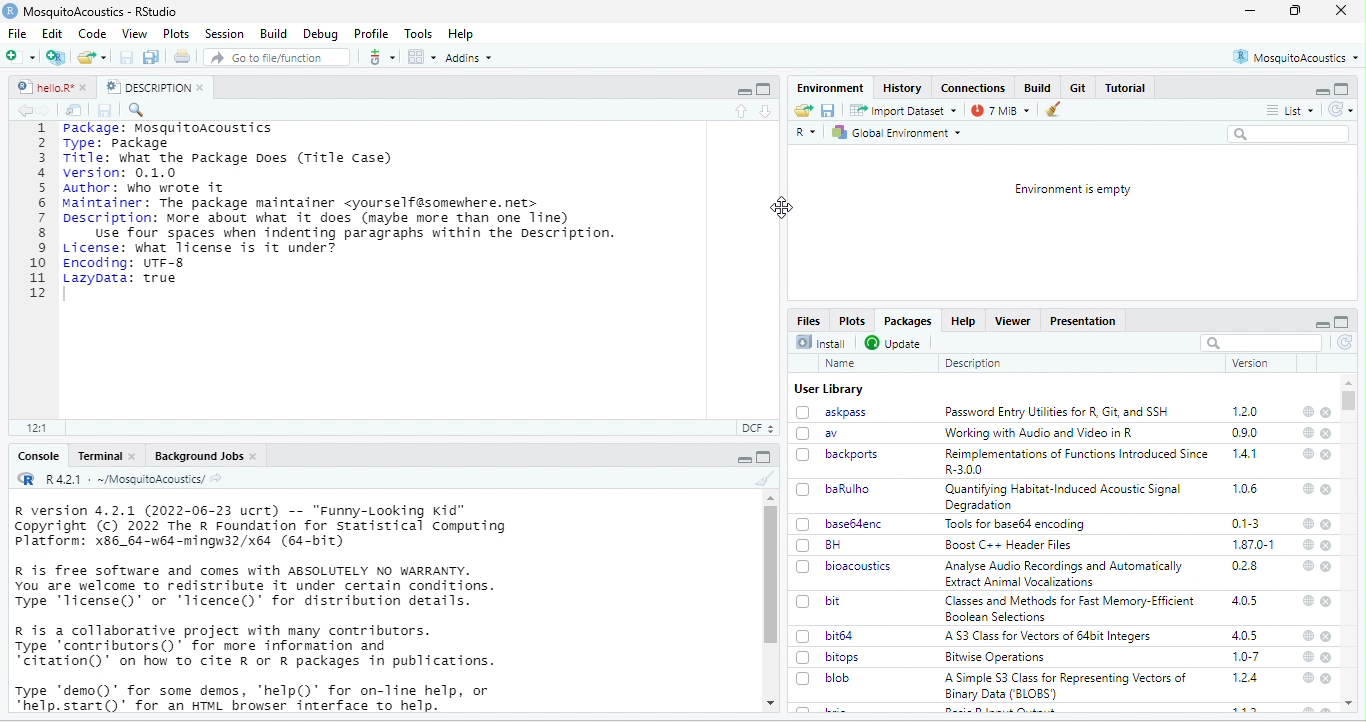  I want to click on Build, so click(271, 33).